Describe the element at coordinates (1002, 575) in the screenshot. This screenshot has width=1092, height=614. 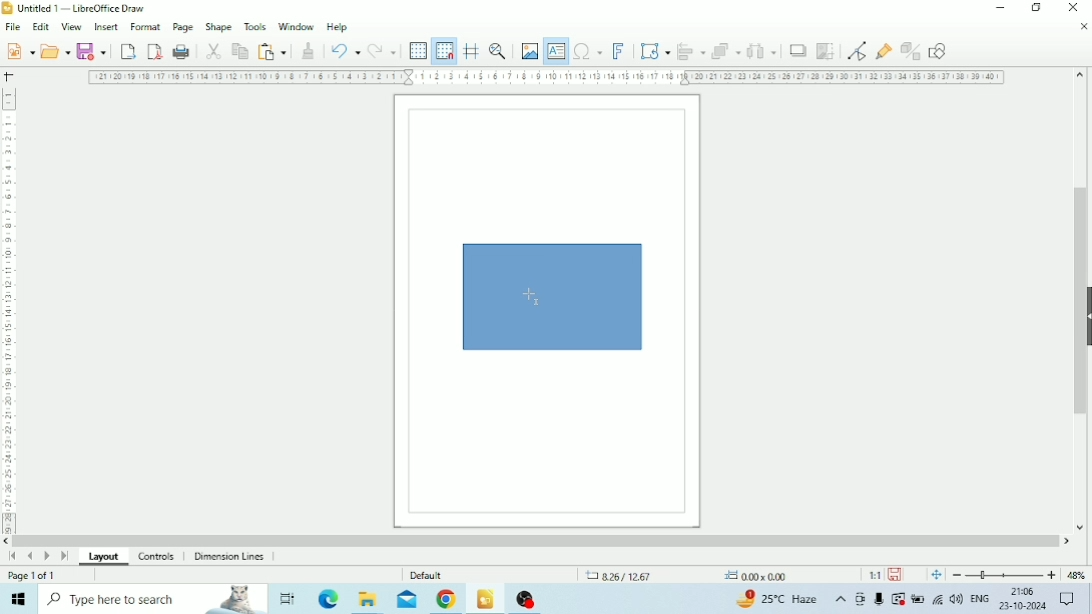
I see `Zoom Out/In` at that location.